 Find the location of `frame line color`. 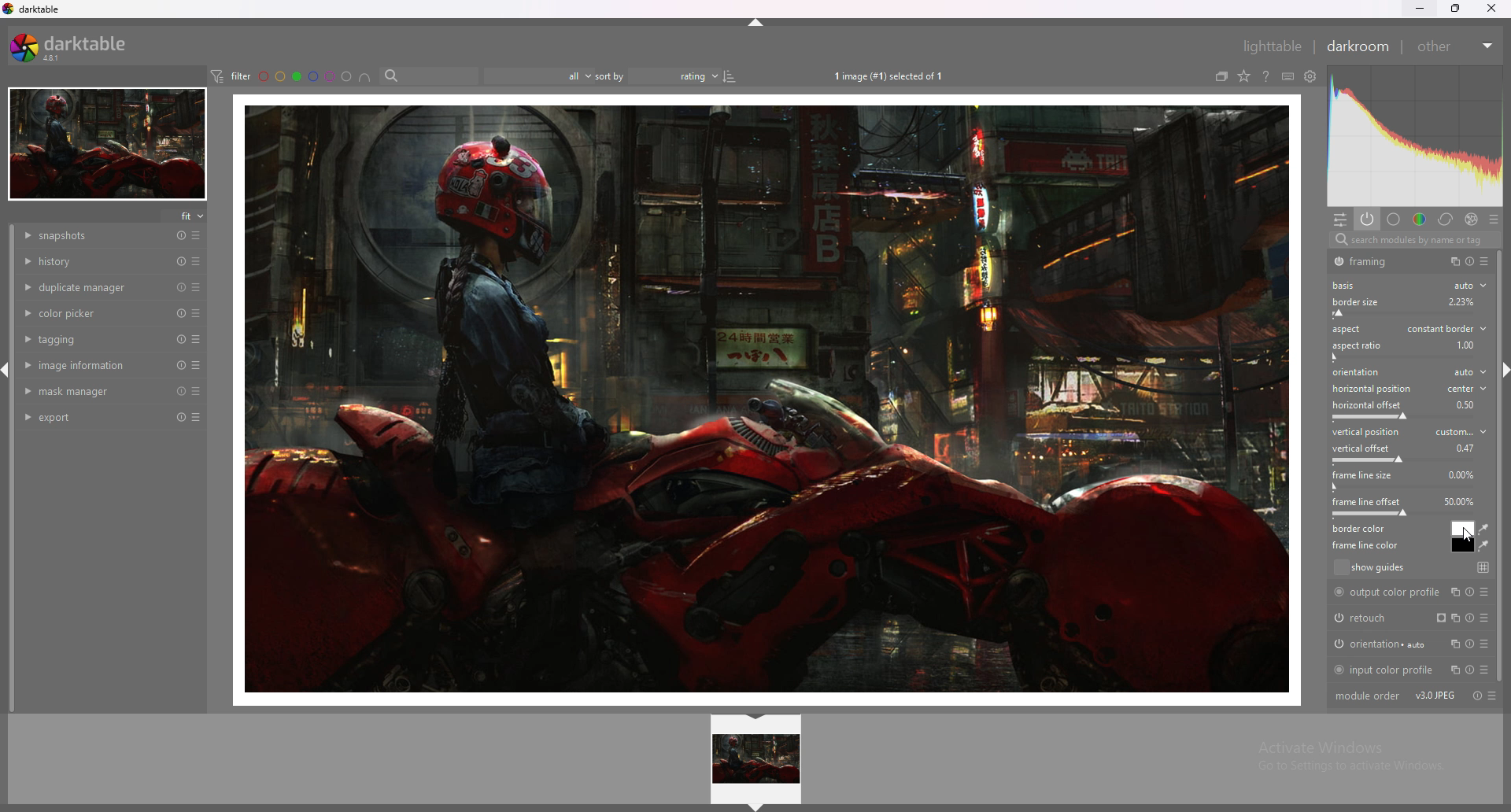

frame line color is located at coordinates (1368, 545).